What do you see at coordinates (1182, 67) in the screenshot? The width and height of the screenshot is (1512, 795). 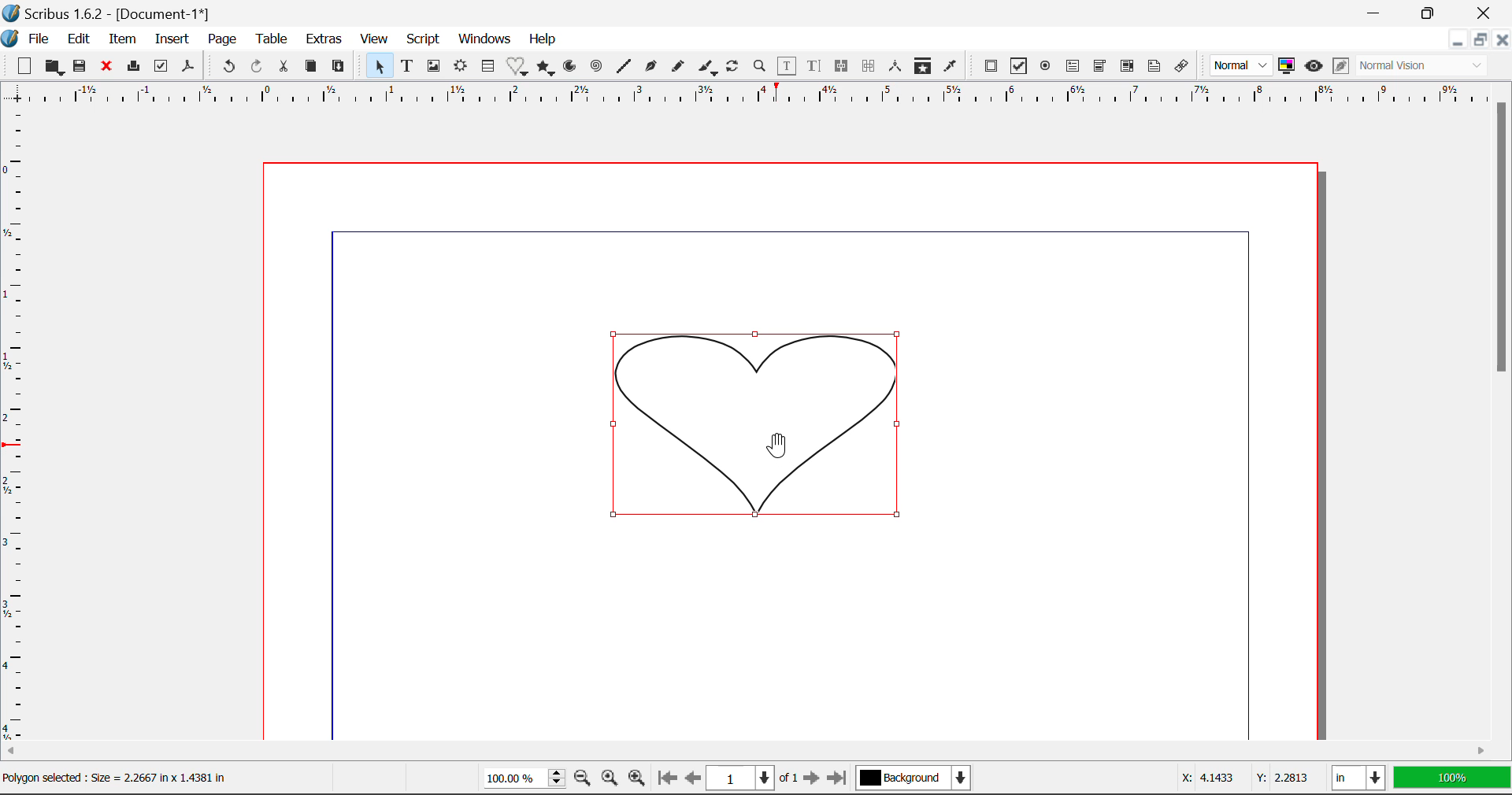 I see `Link Annotation` at bounding box center [1182, 67].